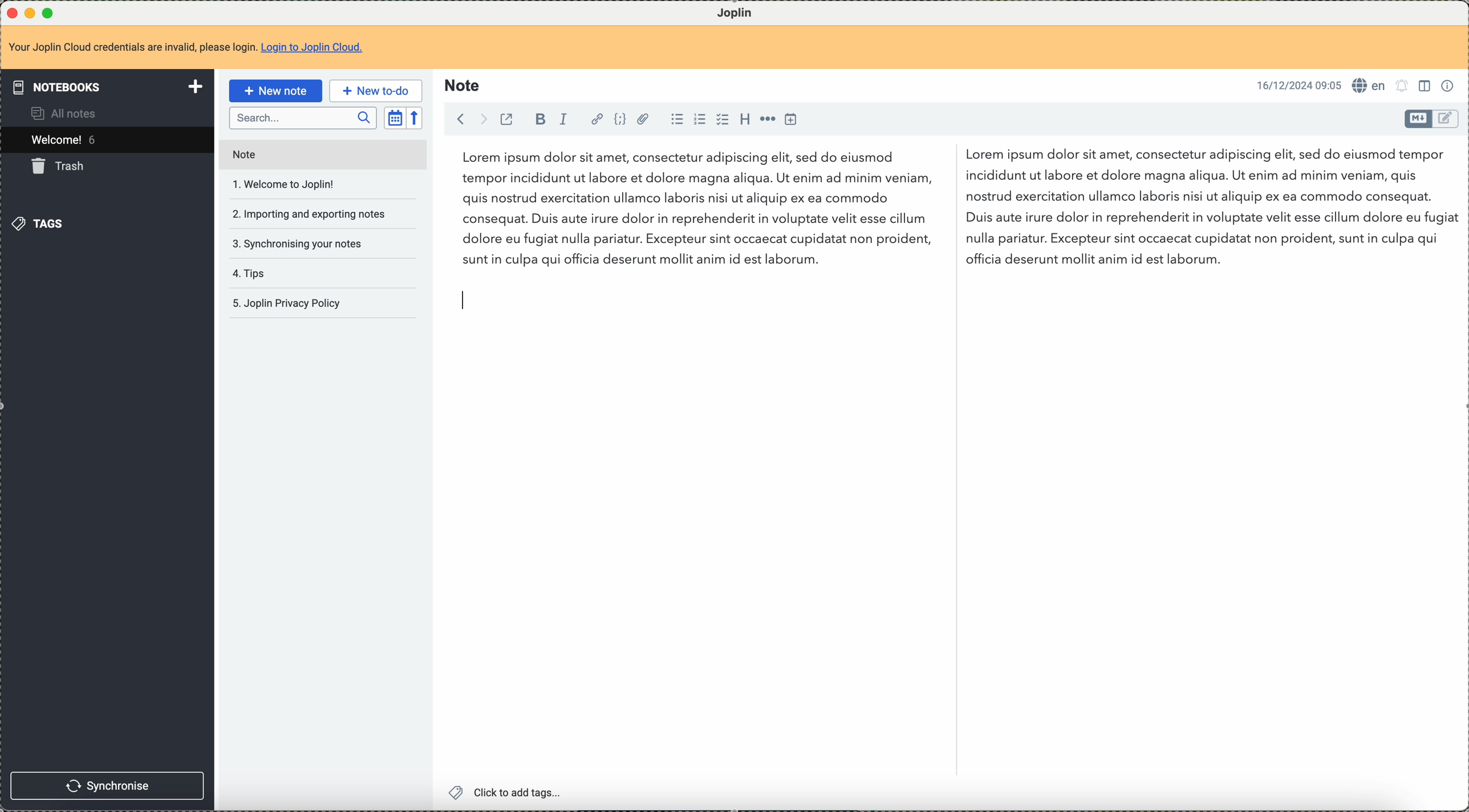  What do you see at coordinates (50, 11) in the screenshot?
I see `maximize` at bounding box center [50, 11].